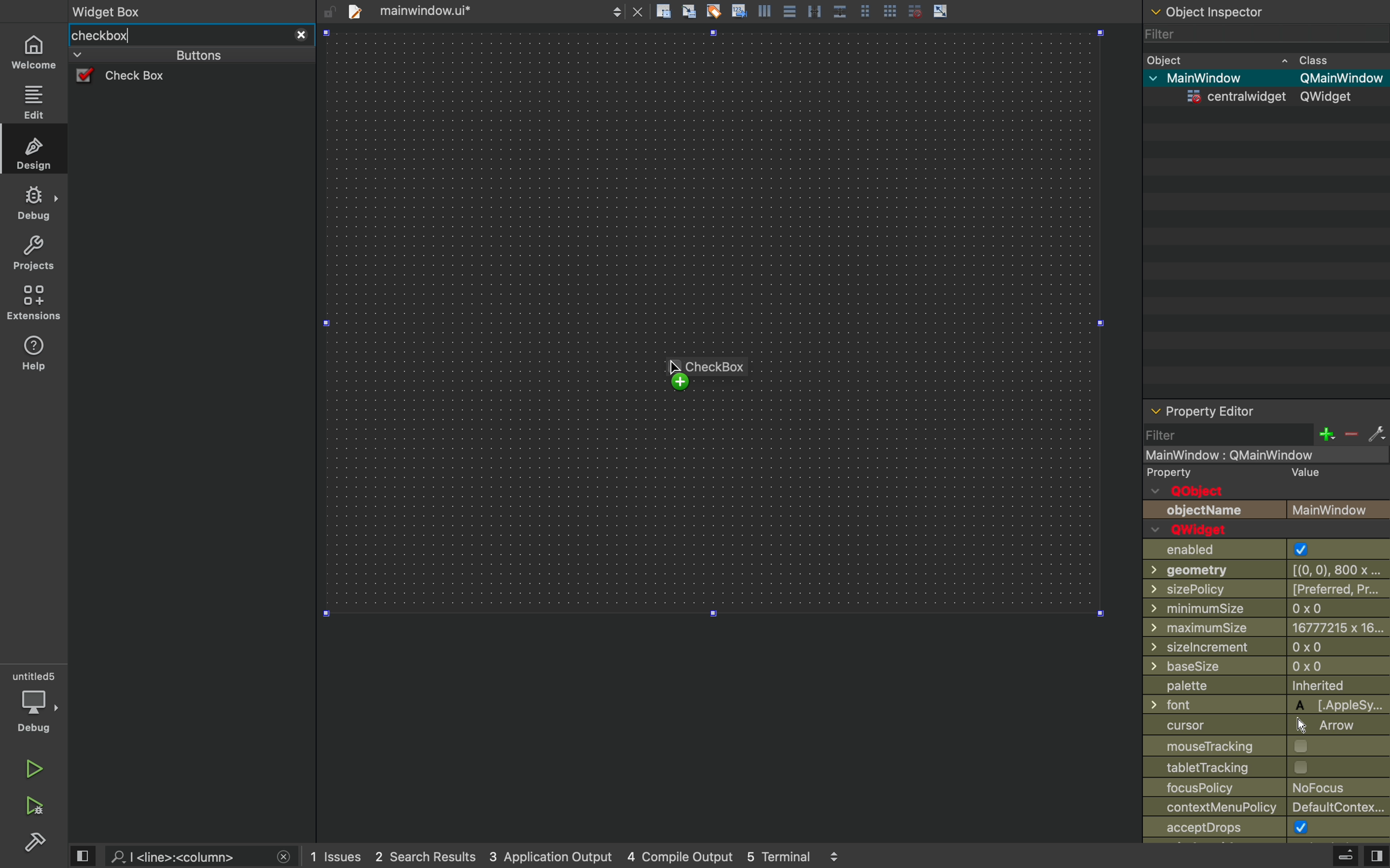 The width and height of the screenshot is (1390, 868). Describe the element at coordinates (33, 203) in the screenshot. I see `debug` at that location.